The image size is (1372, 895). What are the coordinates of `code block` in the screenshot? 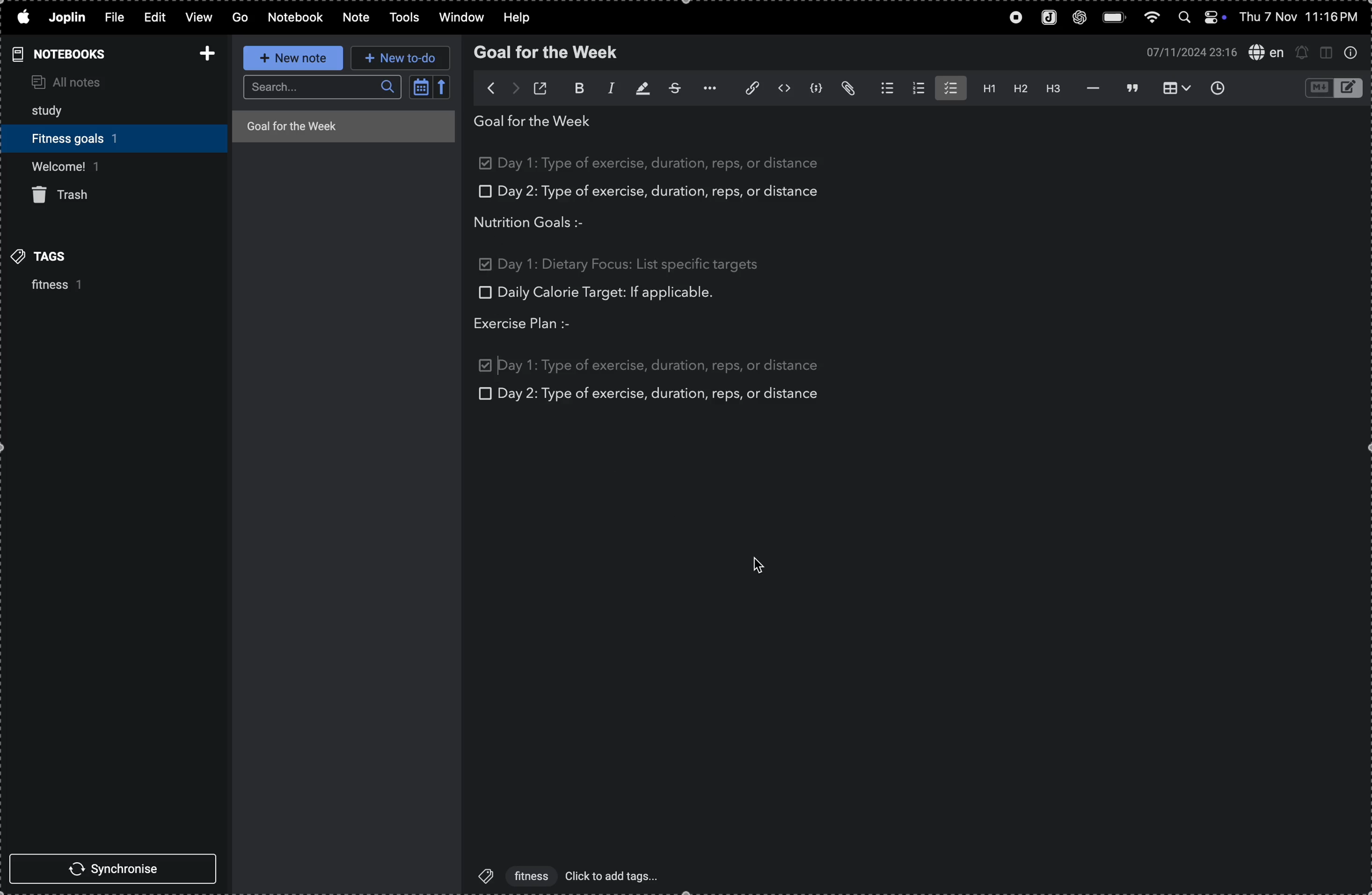 It's located at (816, 88).